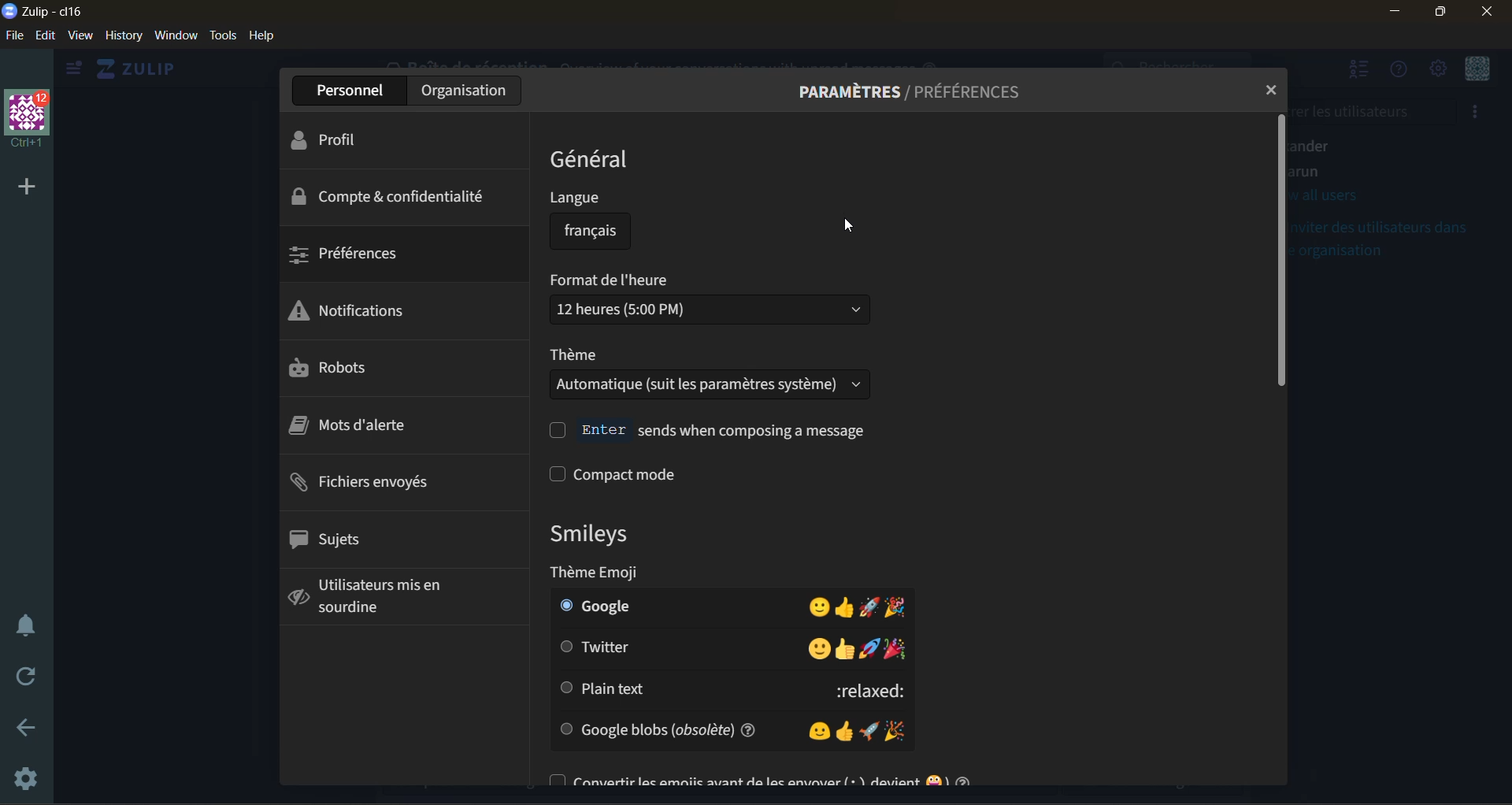 This screenshot has height=805, width=1512. What do you see at coordinates (1281, 252) in the screenshot?
I see `vertical scroll bar` at bounding box center [1281, 252].